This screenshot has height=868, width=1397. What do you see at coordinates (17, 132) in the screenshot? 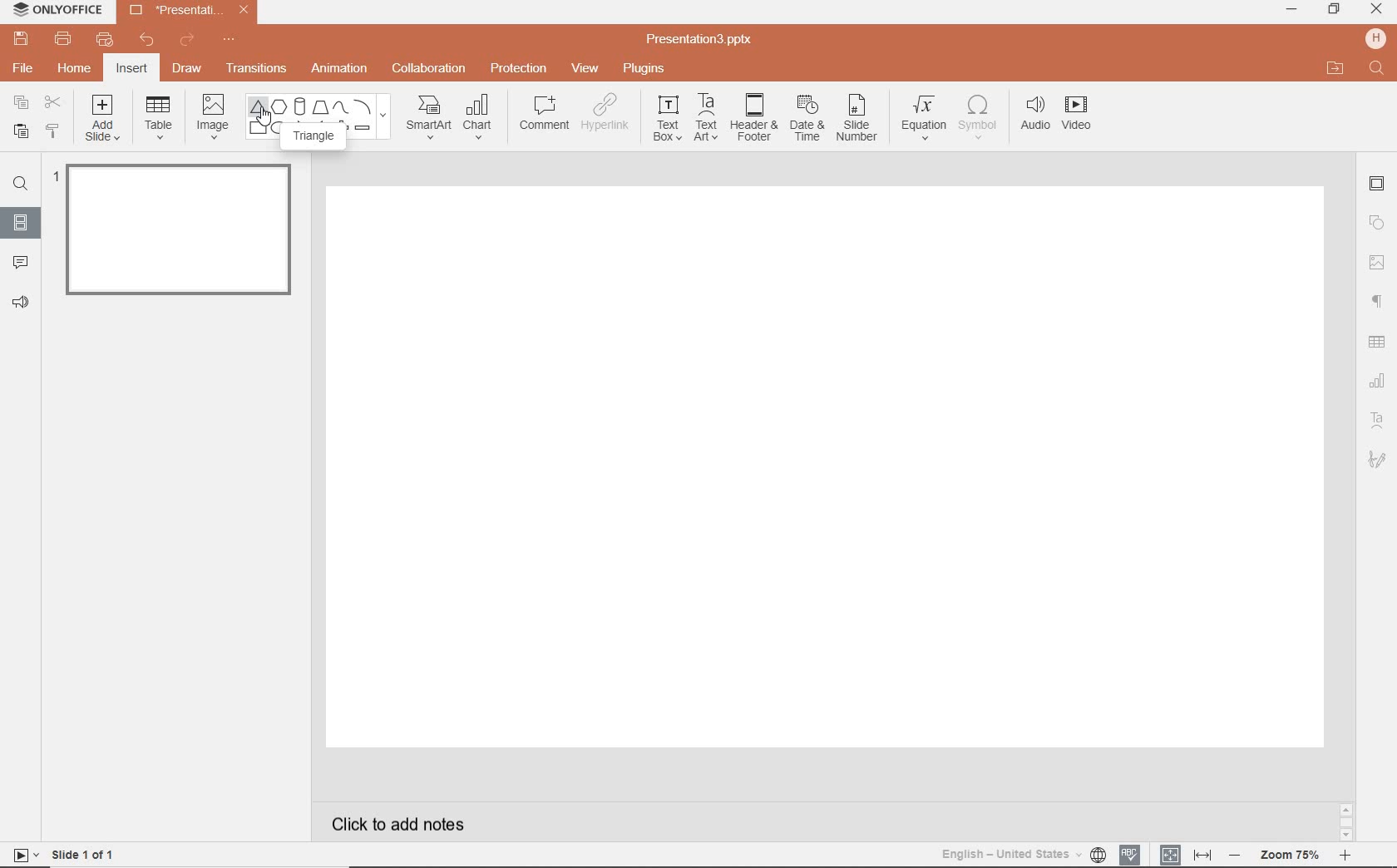
I see `PASTE` at bounding box center [17, 132].